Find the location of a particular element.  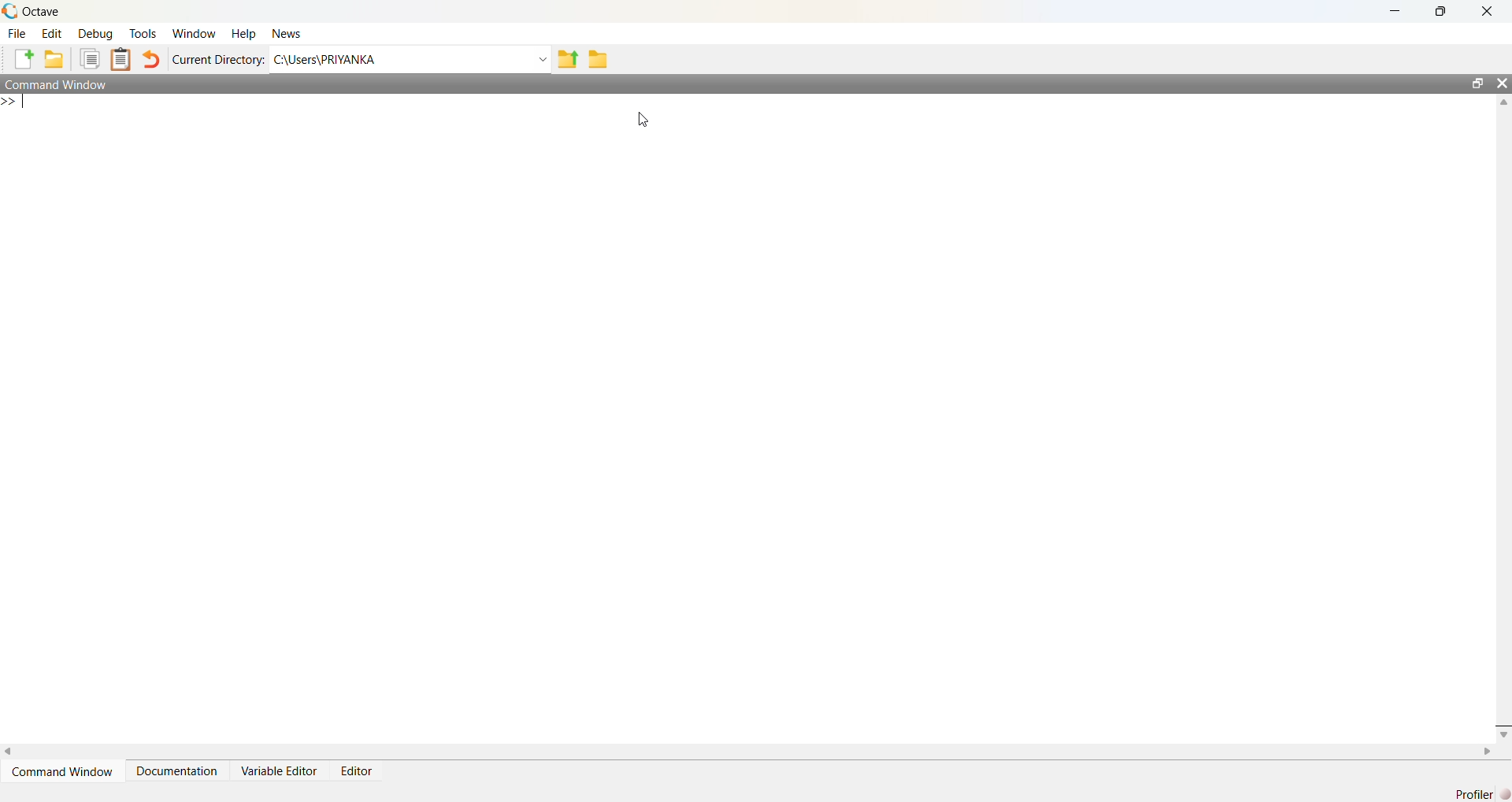

File is located at coordinates (19, 33).